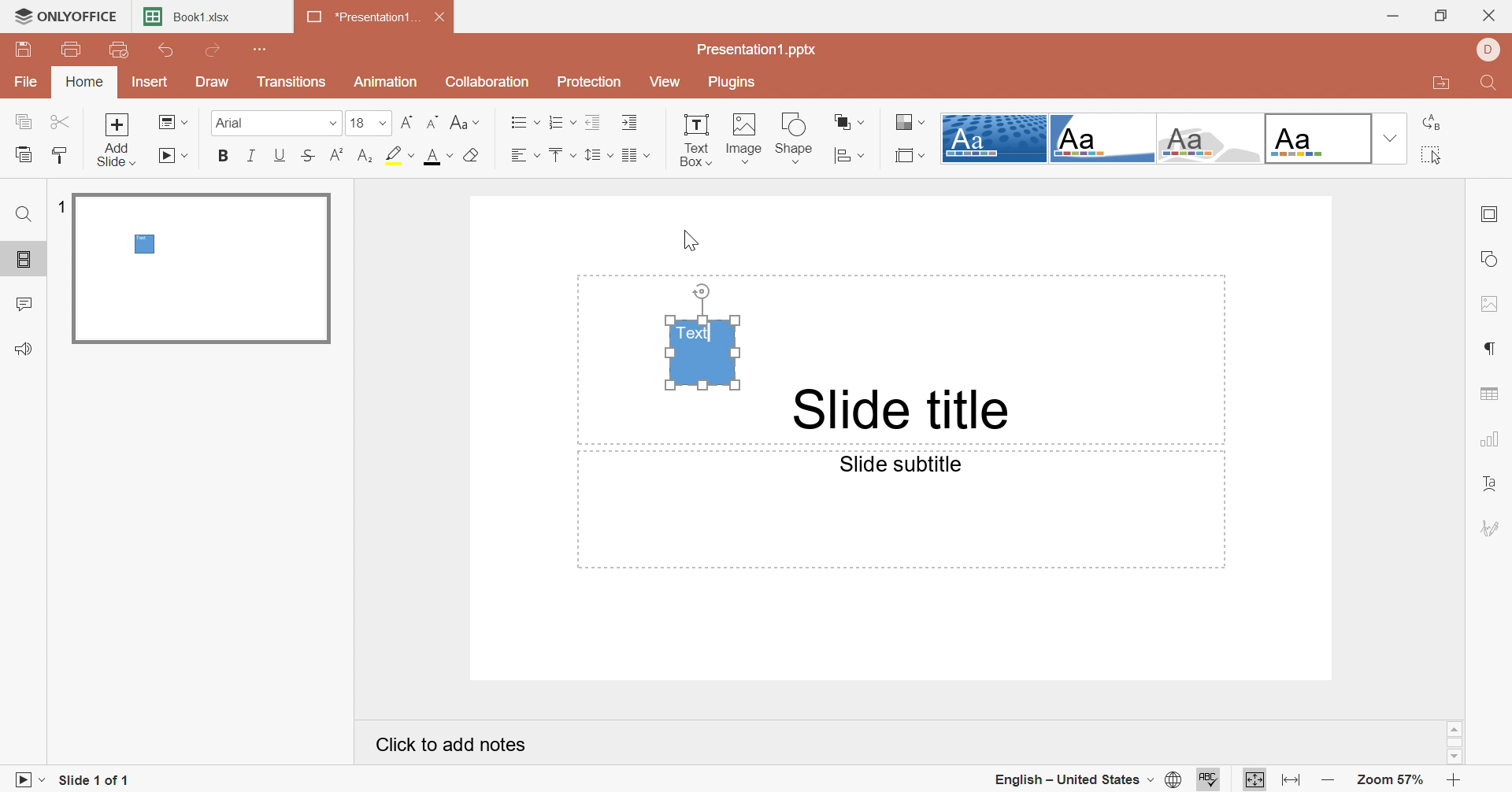  What do you see at coordinates (495, 83) in the screenshot?
I see `Collaboration` at bounding box center [495, 83].